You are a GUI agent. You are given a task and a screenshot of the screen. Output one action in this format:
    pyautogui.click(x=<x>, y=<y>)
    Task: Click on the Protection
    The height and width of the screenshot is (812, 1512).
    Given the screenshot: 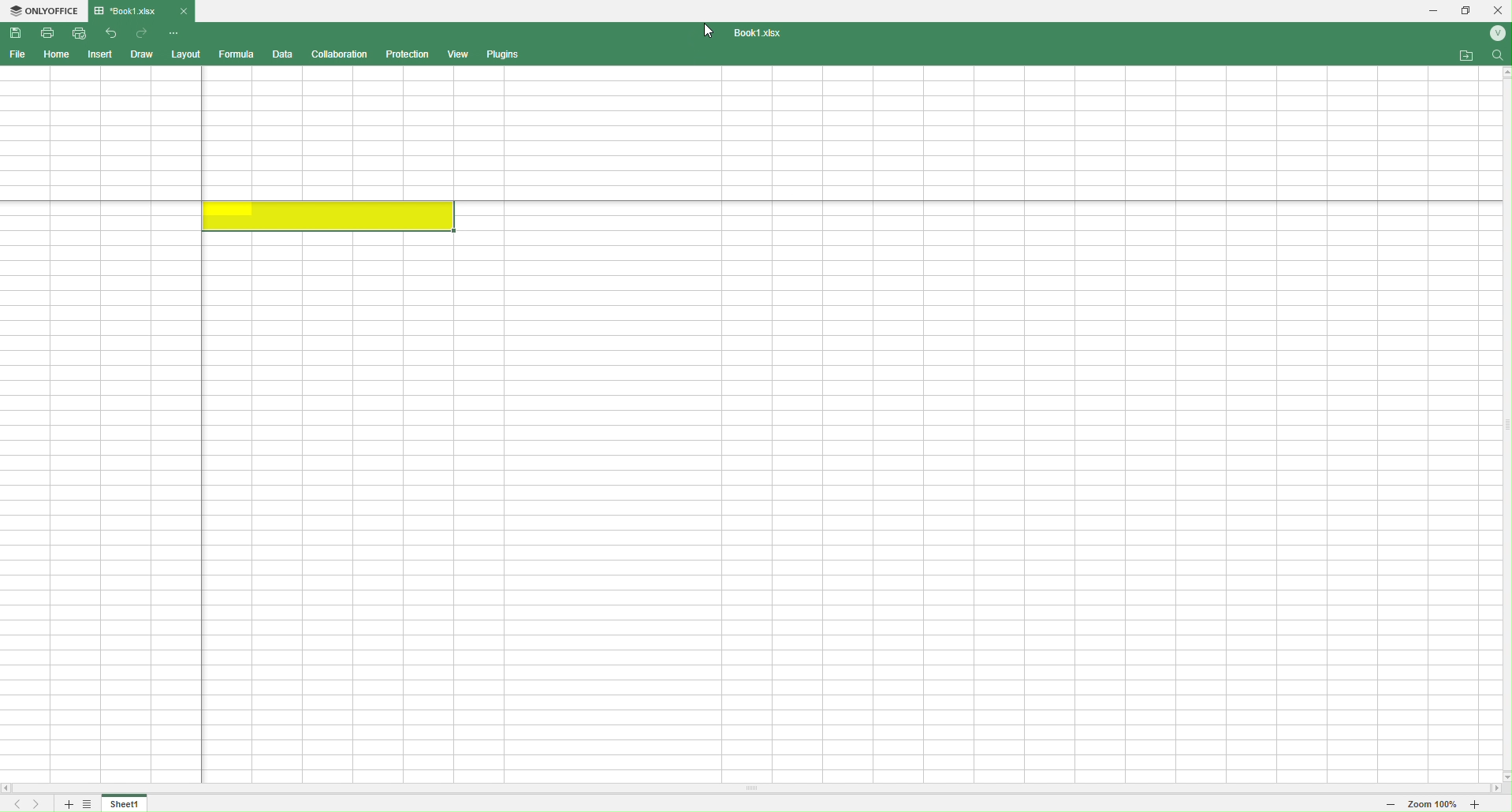 What is the action you would take?
    pyautogui.click(x=407, y=56)
    